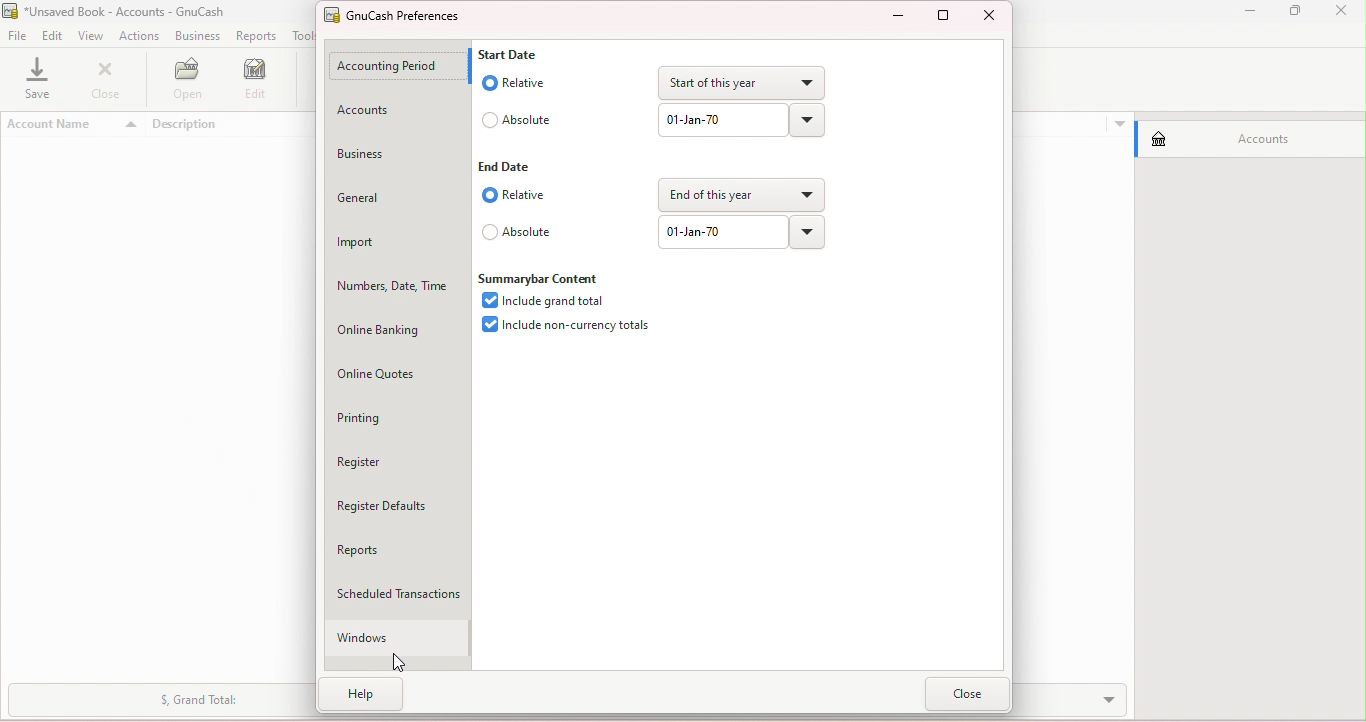 The image size is (1366, 722). Describe the element at coordinates (744, 193) in the screenshot. I see `Drop down` at that location.